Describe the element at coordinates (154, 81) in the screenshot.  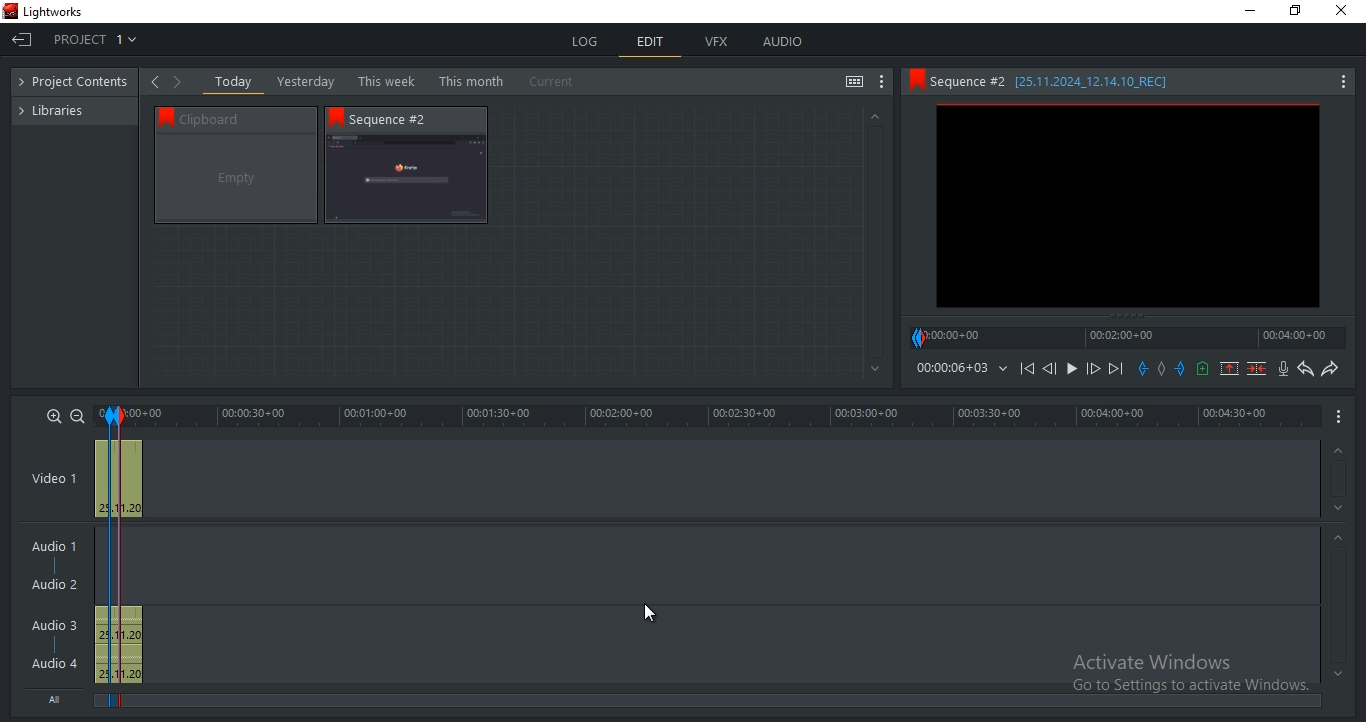
I see `Show options to the left` at that location.